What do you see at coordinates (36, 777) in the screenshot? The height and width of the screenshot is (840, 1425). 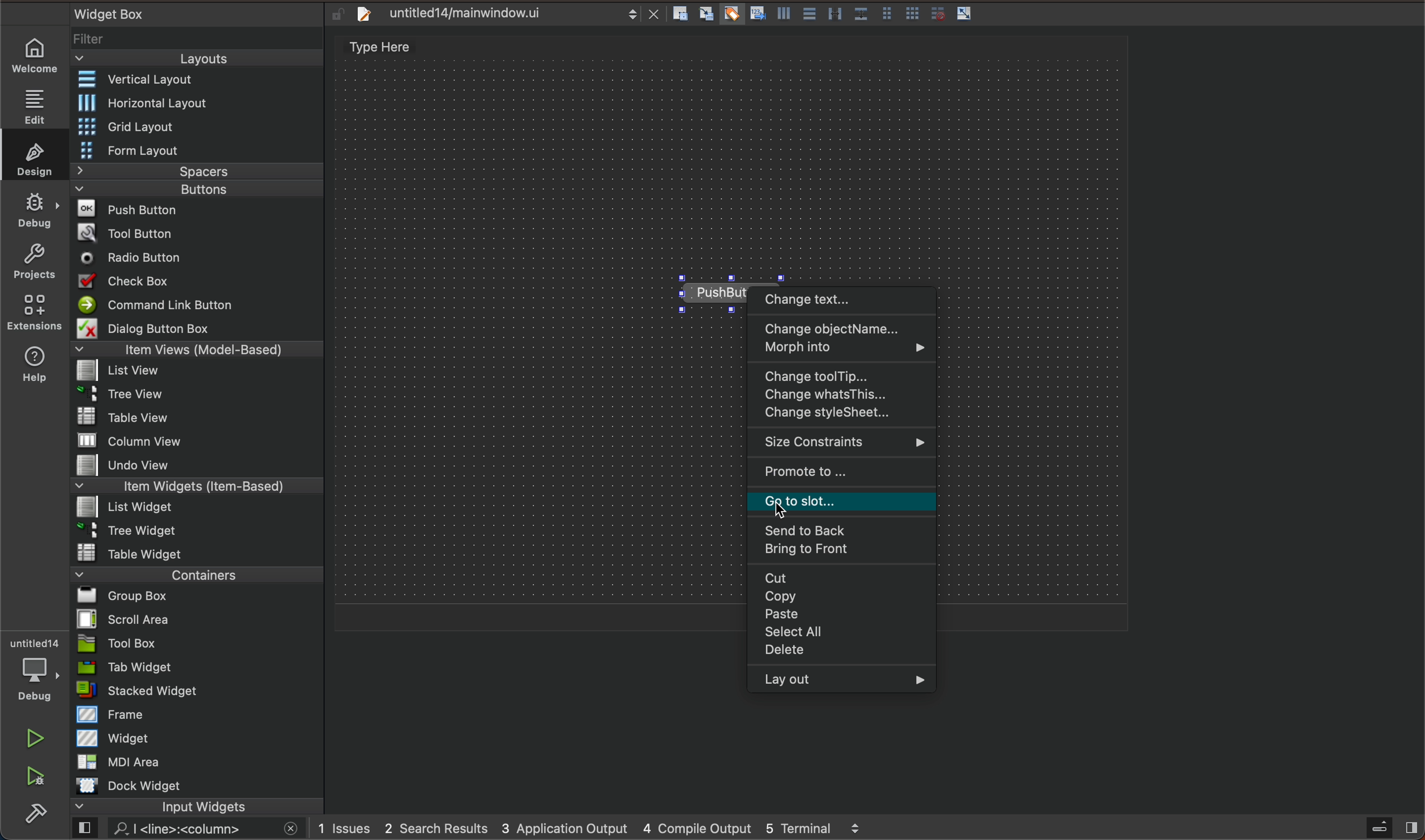 I see `run and debug` at bounding box center [36, 777].